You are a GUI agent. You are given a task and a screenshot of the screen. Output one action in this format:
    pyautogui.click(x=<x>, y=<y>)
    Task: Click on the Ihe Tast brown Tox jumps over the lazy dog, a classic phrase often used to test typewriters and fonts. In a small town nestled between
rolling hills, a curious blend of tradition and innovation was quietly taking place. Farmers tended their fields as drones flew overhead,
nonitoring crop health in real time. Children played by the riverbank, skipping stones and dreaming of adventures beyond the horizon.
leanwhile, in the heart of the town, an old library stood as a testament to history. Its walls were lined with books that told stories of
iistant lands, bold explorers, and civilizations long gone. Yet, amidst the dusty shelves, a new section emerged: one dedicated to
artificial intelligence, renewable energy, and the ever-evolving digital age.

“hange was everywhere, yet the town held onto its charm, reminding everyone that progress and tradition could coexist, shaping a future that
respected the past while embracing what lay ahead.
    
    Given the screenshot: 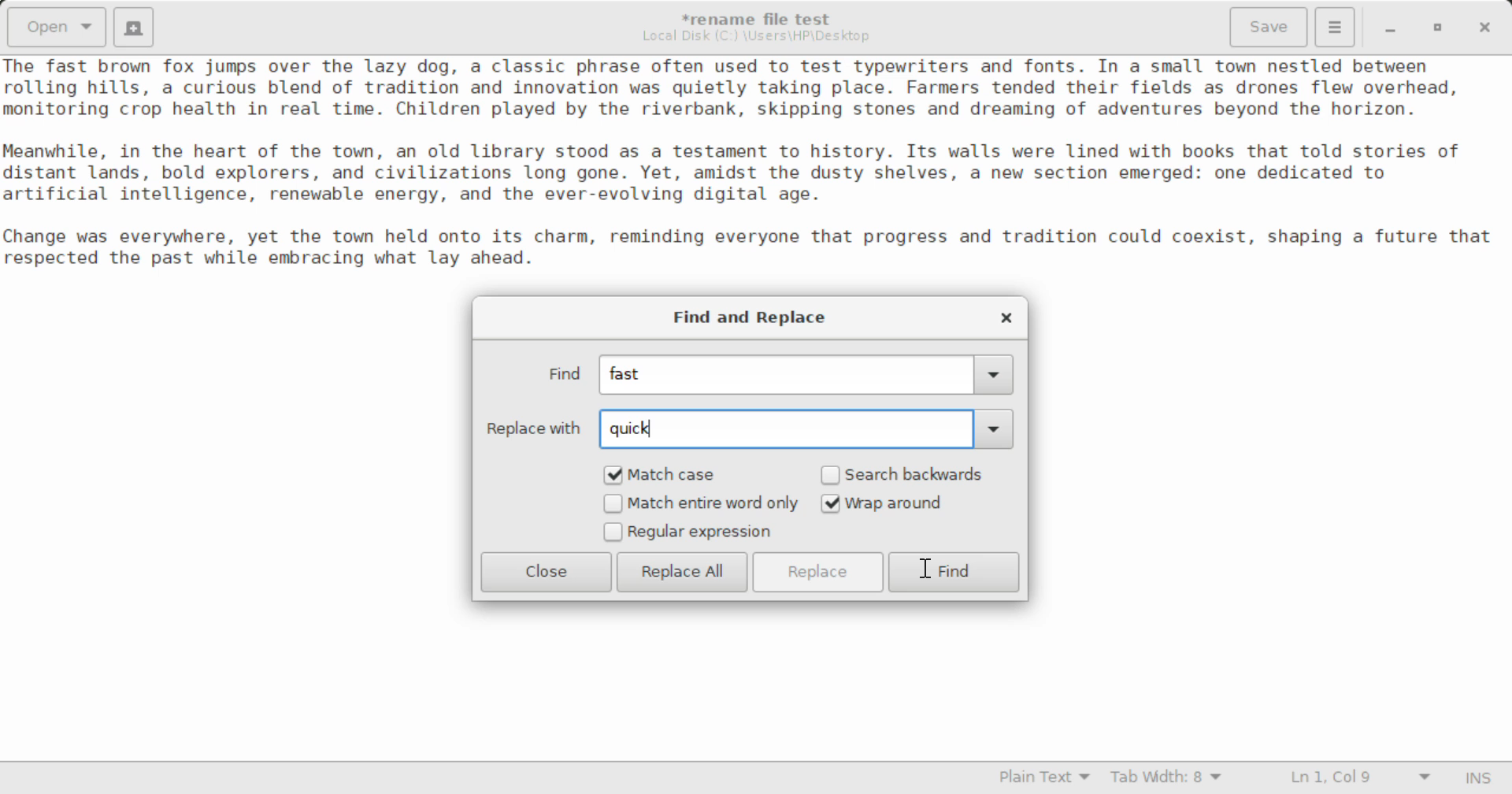 What is the action you would take?
    pyautogui.click(x=756, y=165)
    